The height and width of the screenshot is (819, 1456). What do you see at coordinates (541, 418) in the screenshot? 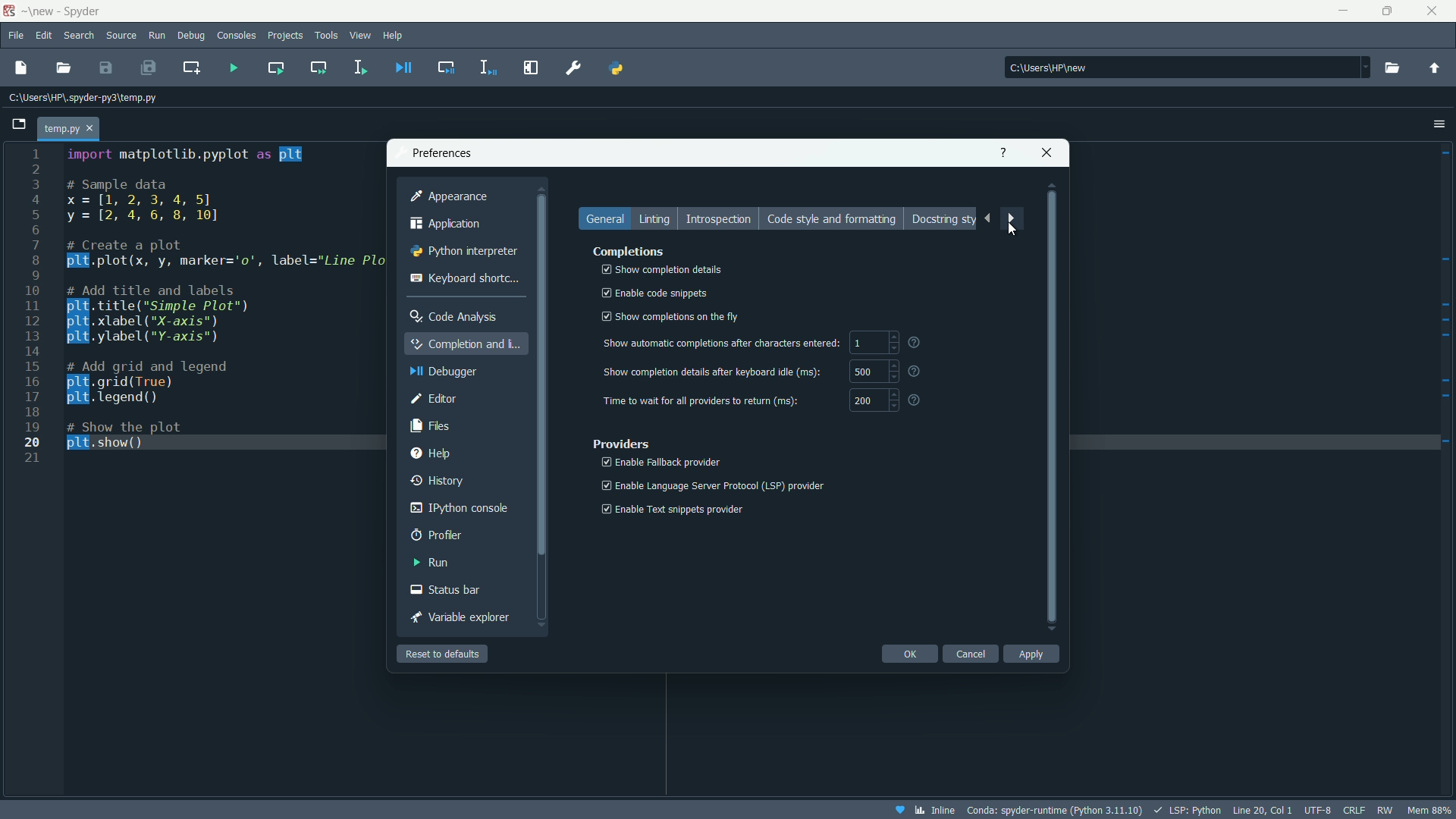
I see `scroll bar` at bounding box center [541, 418].